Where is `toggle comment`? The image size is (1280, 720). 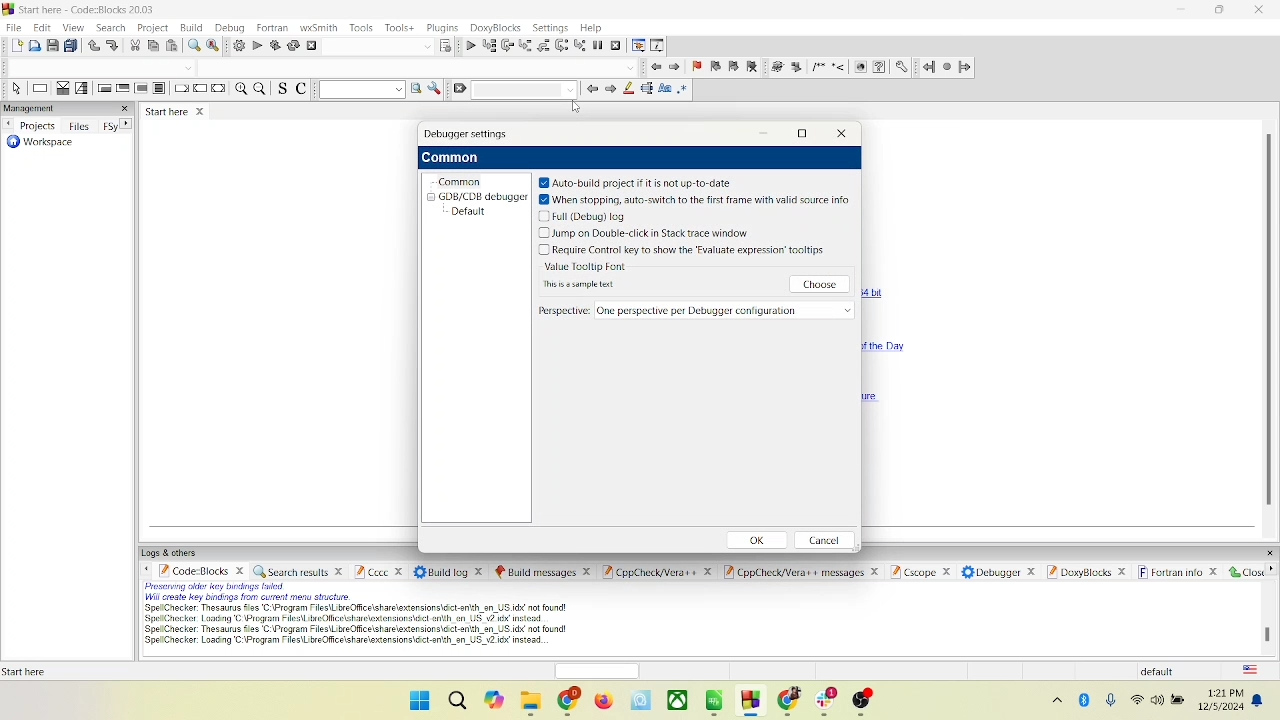 toggle comment is located at coordinates (301, 91).